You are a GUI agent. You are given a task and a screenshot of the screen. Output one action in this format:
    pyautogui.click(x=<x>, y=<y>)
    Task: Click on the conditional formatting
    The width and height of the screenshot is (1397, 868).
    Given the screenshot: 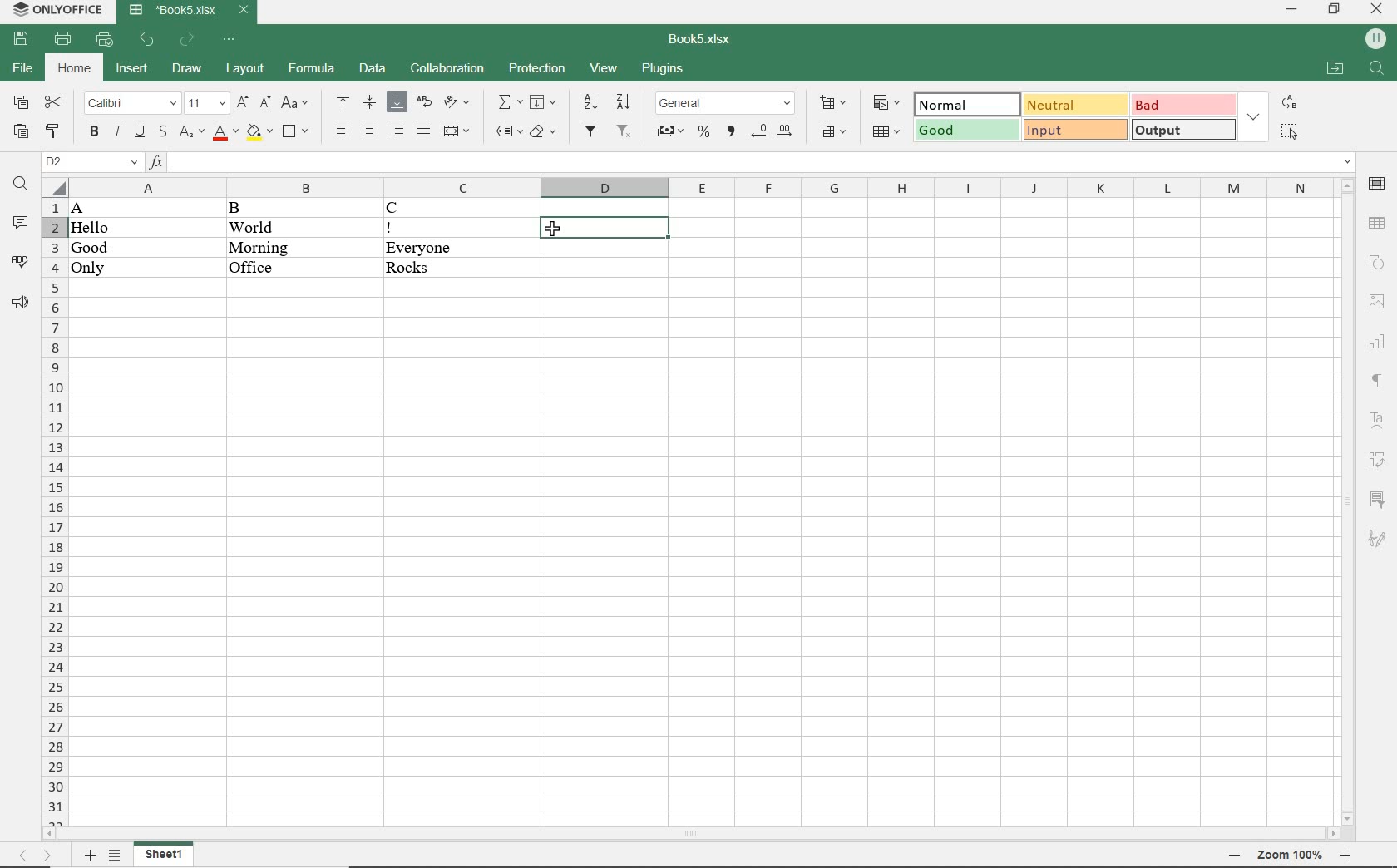 What is the action you would take?
    pyautogui.click(x=883, y=102)
    